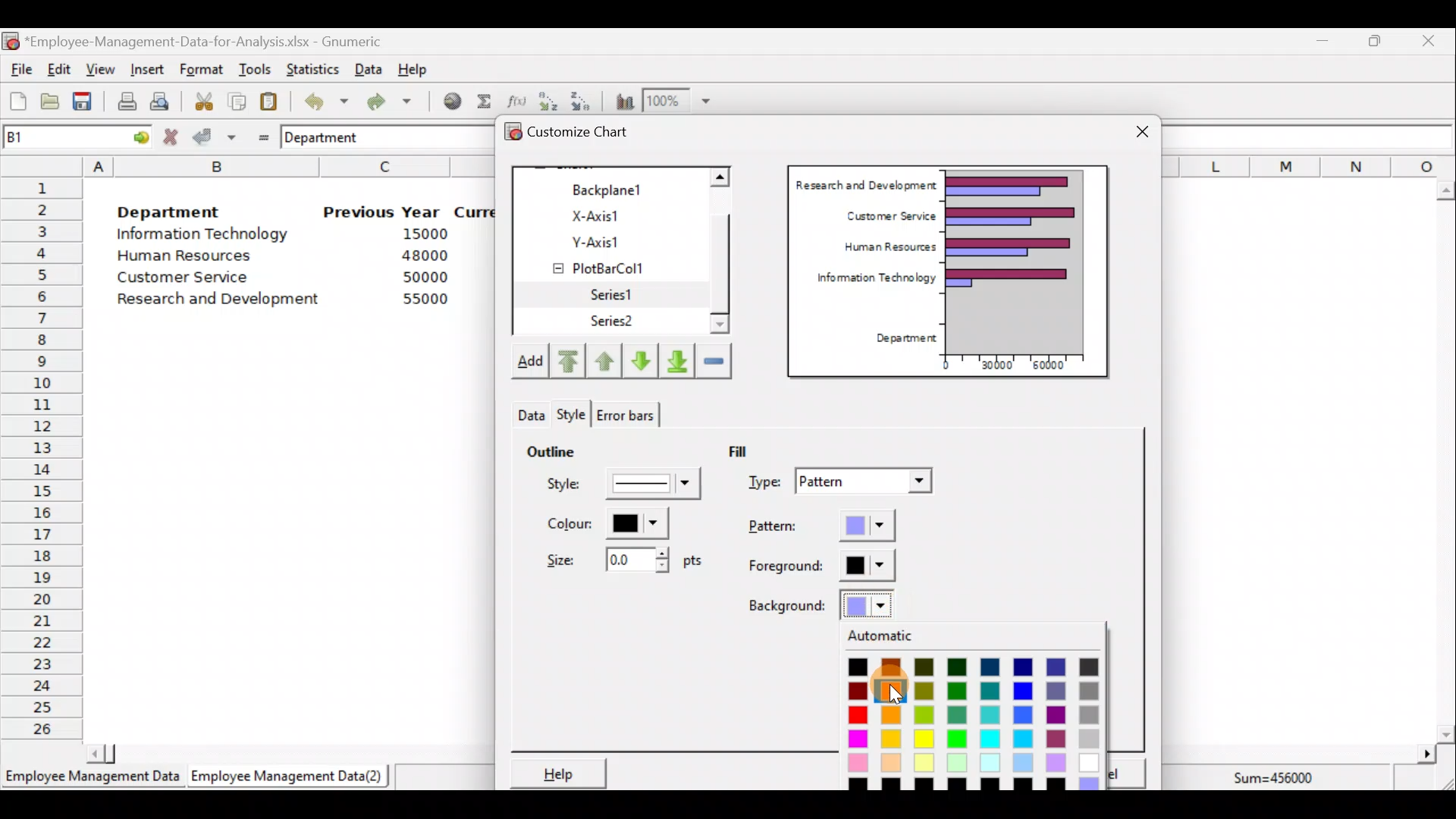 The height and width of the screenshot is (819, 1456). I want to click on Employee Management Data, so click(91, 781).